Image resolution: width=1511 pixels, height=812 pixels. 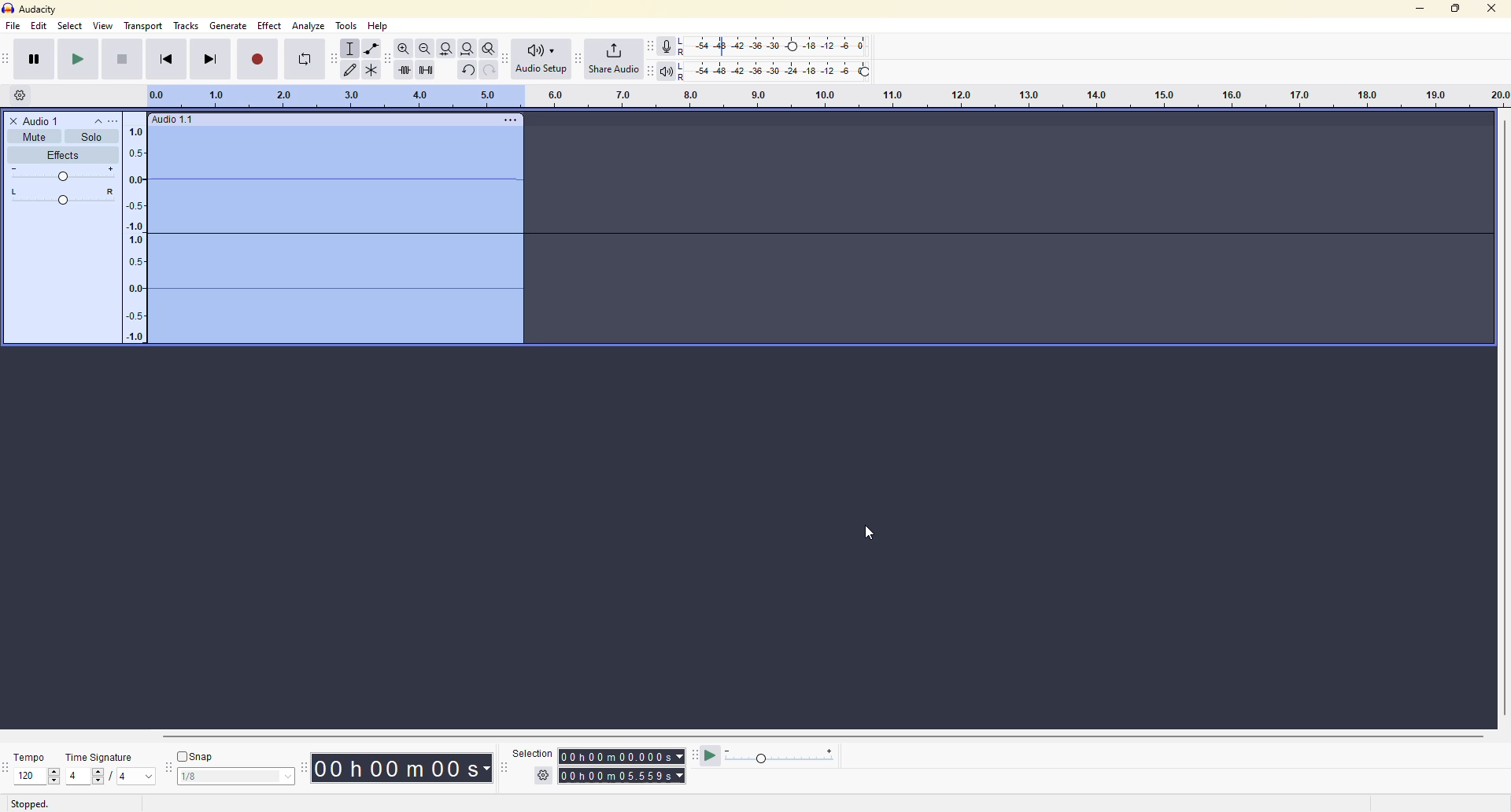 I want to click on adjust, so click(x=64, y=174).